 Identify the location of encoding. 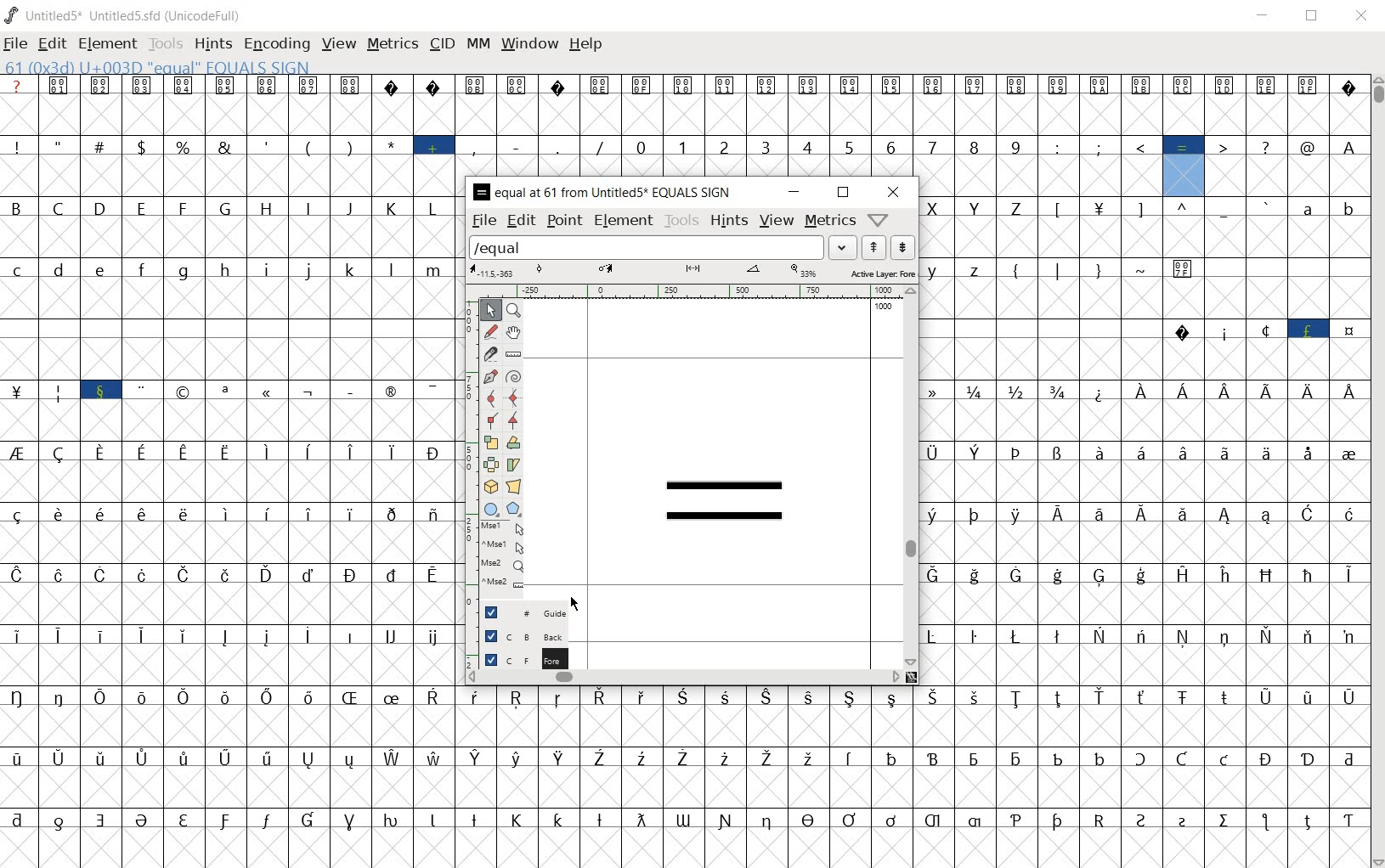
(274, 43).